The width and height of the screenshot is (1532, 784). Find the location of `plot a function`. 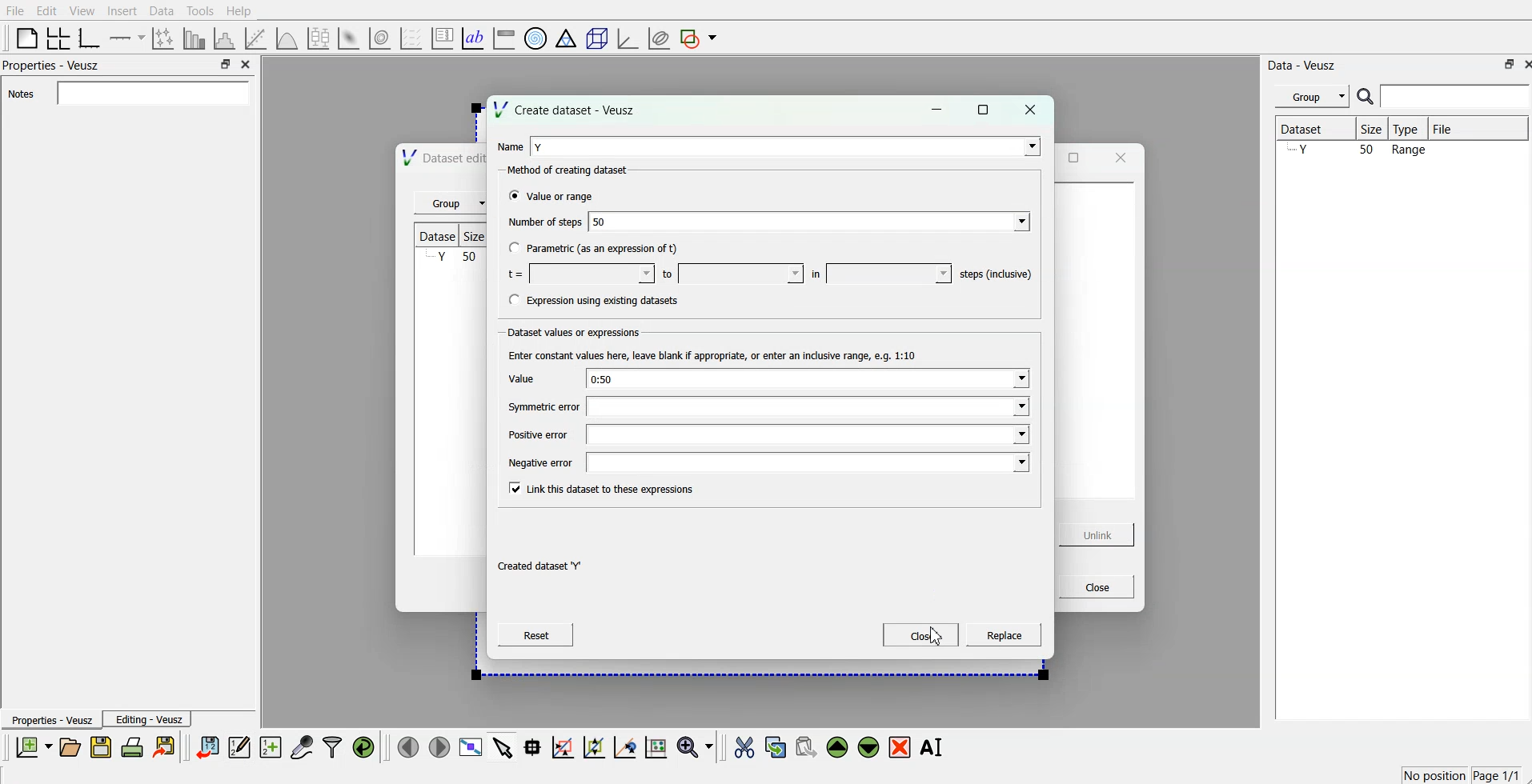

plot a function is located at coordinates (288, 36).